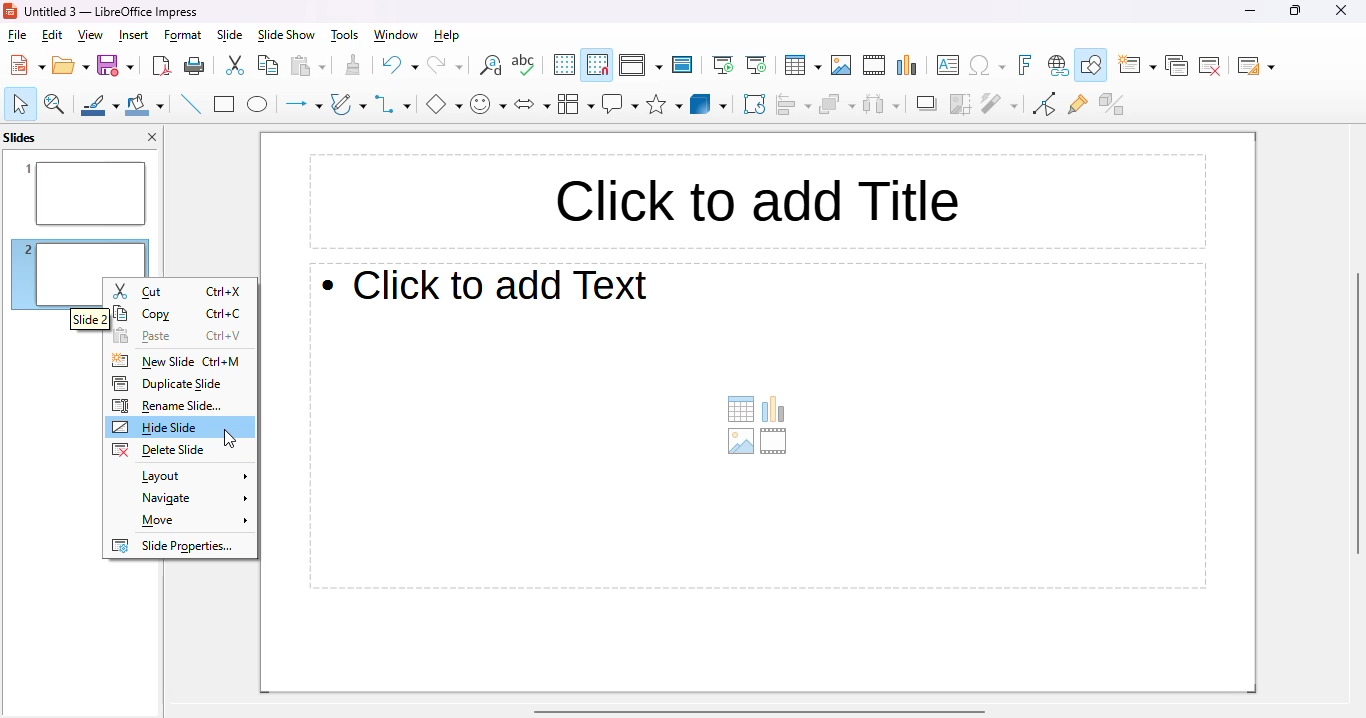  Describe the element at coordinates (51, 35) in the screenshot. I see `edit` at that location.